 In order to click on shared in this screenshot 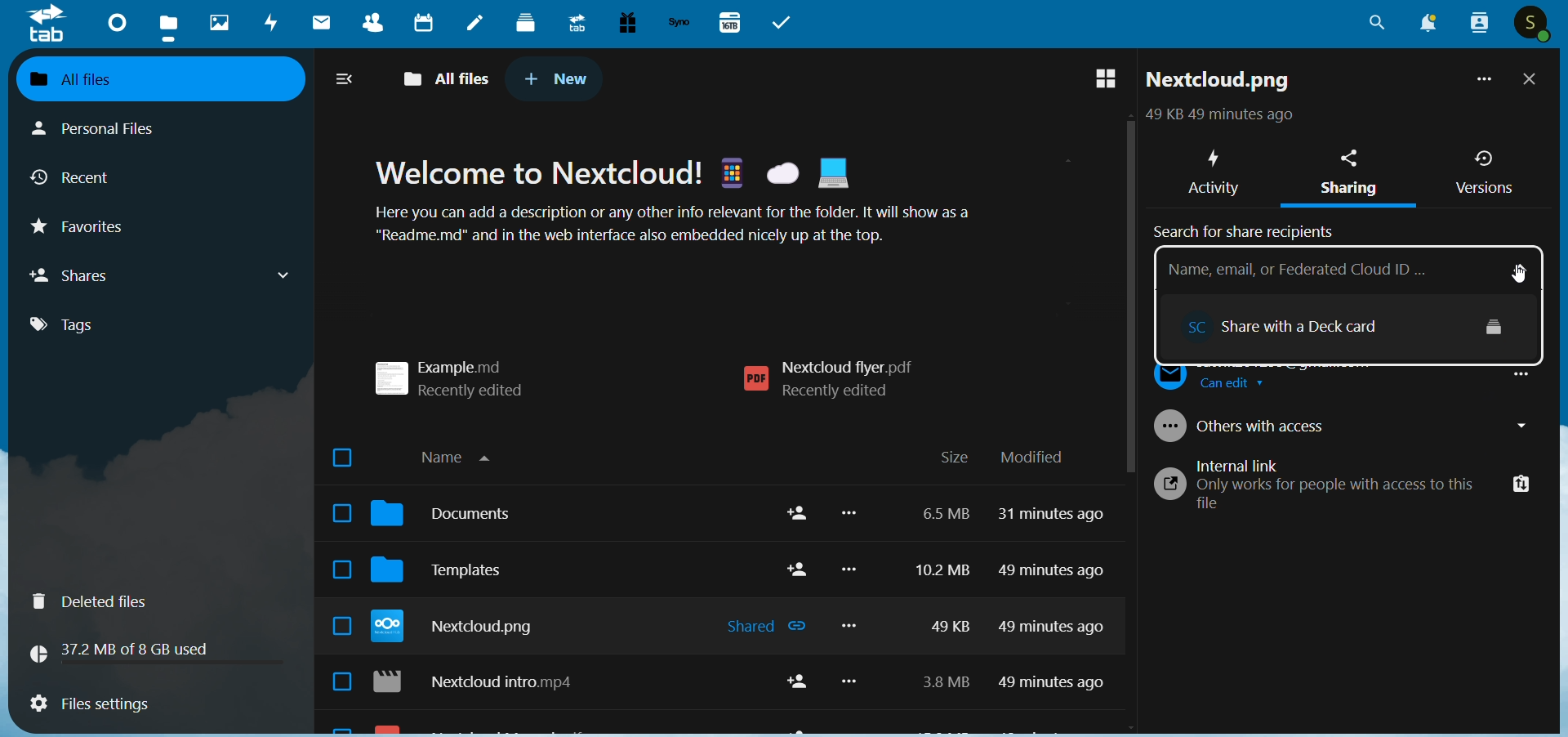, I will do `click(768, 628)`.